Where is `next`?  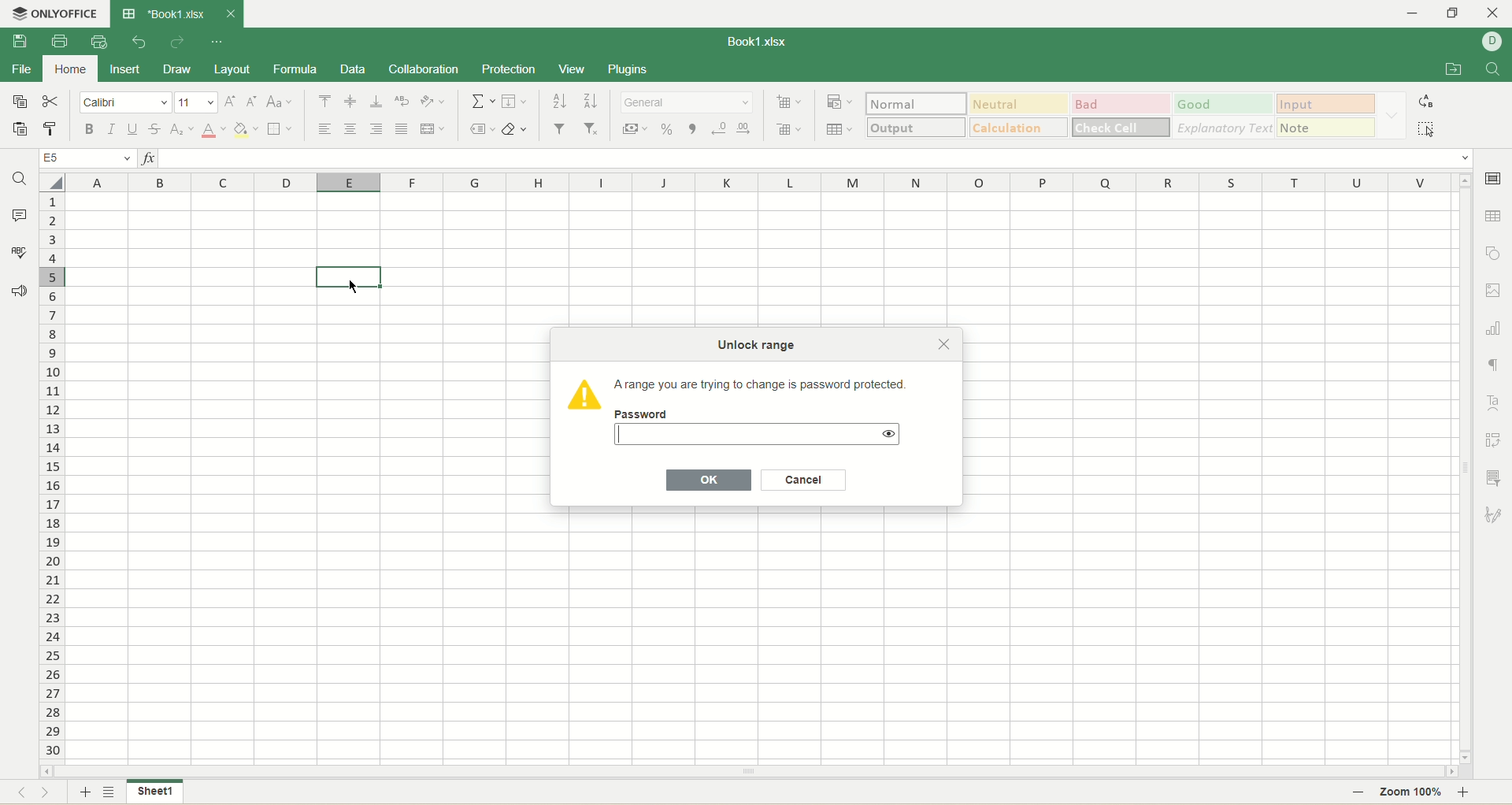 next is located at coordinates (46, 793).